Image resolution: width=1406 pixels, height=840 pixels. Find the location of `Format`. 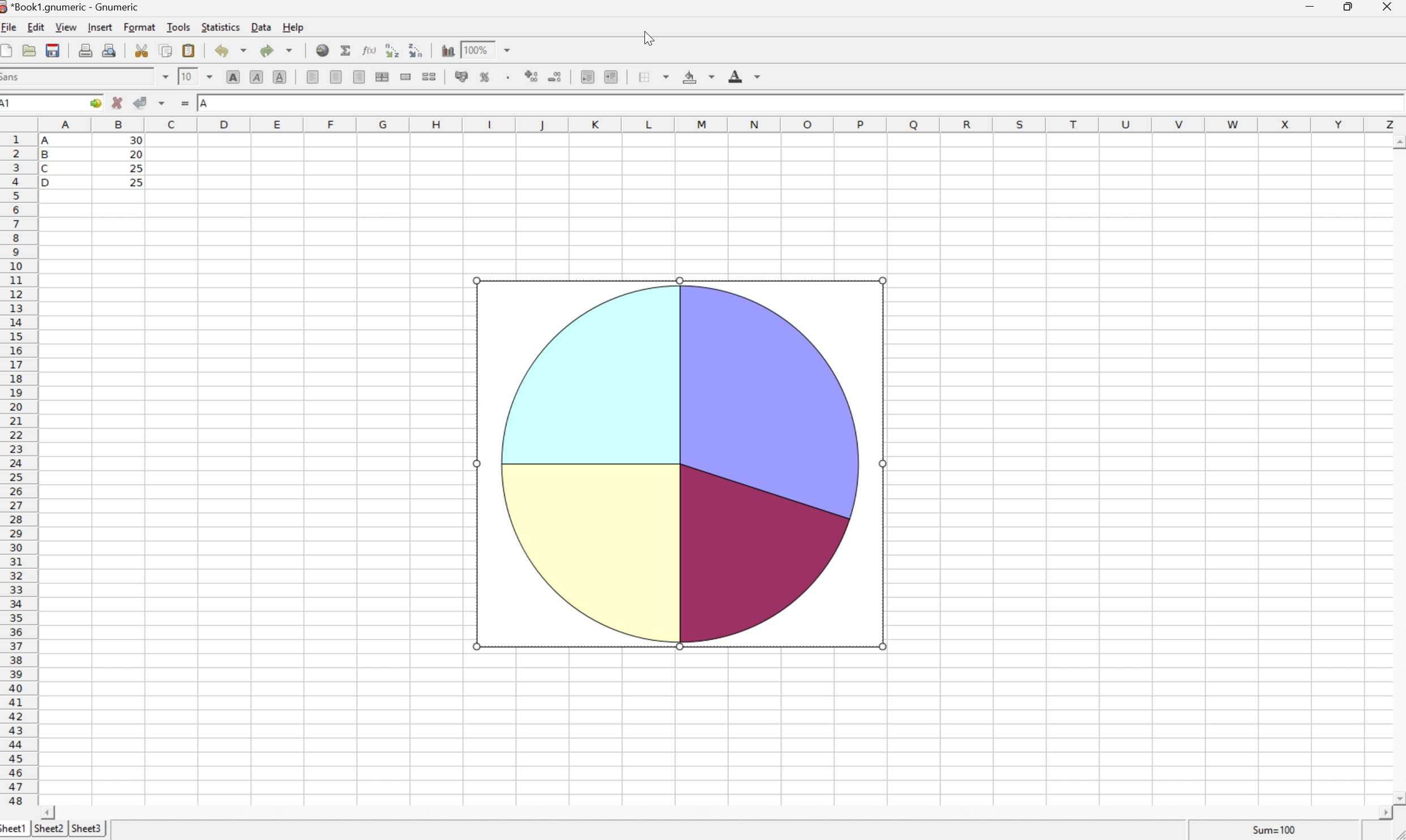

Format is located at coordinates (140, 28).